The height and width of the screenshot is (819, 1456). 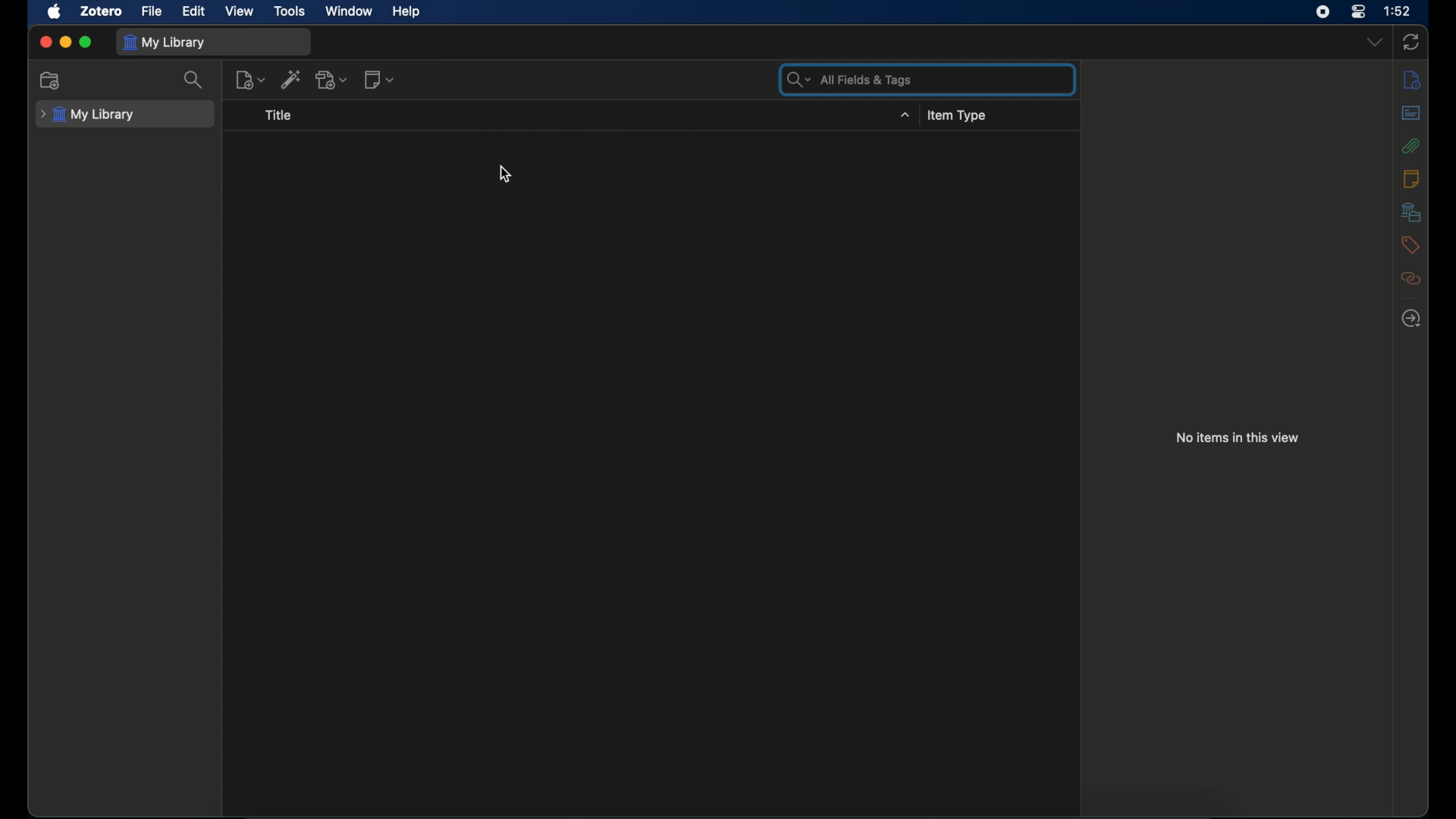 What do you see at coordinates (1238, 437) in the screenshot?
I see `no items  in this view` at bounding box center [1238, 437].